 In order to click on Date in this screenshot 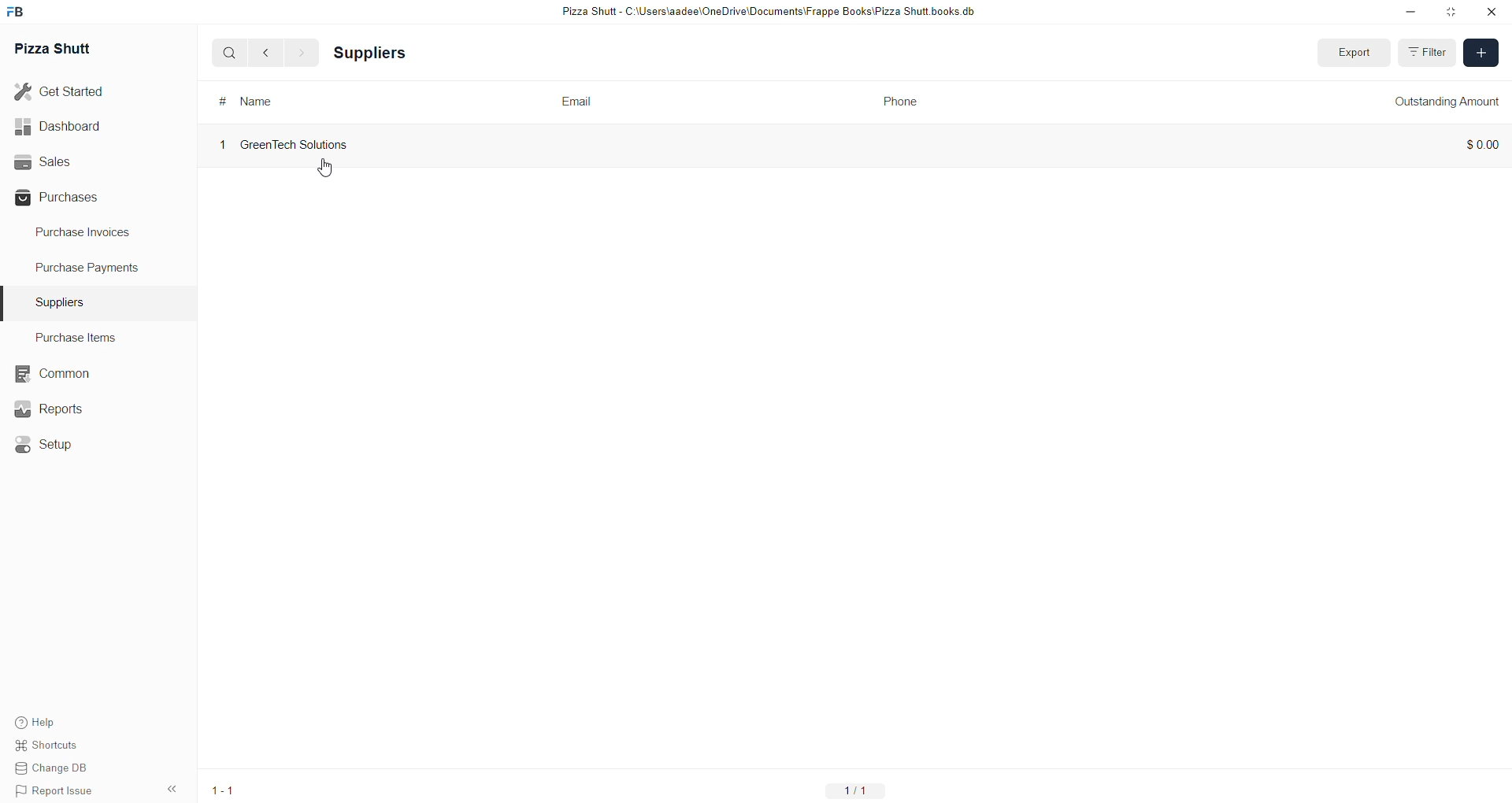, I will do `click(896, 103)`.